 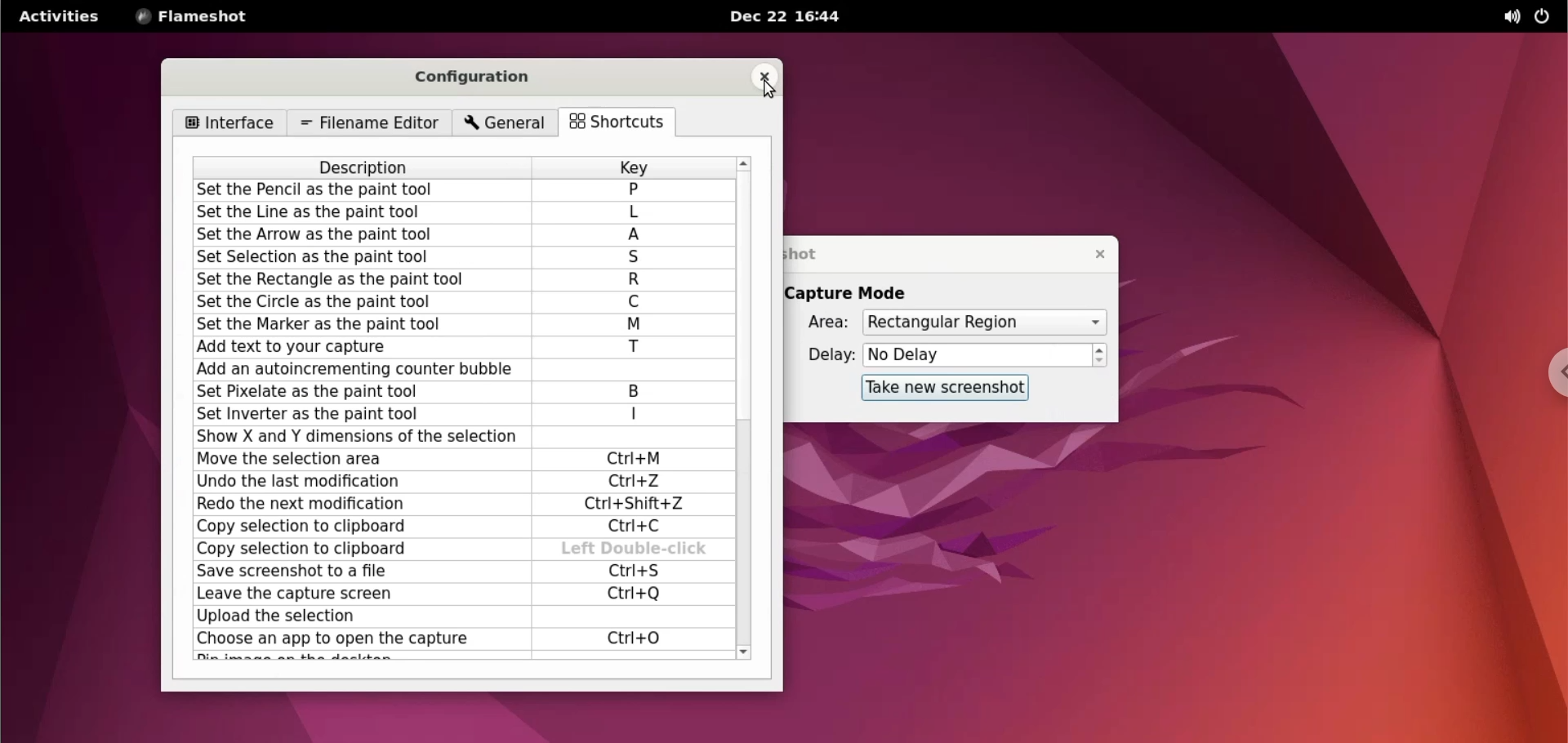 I want to click on upload the selection, so click(x=354, y=617).